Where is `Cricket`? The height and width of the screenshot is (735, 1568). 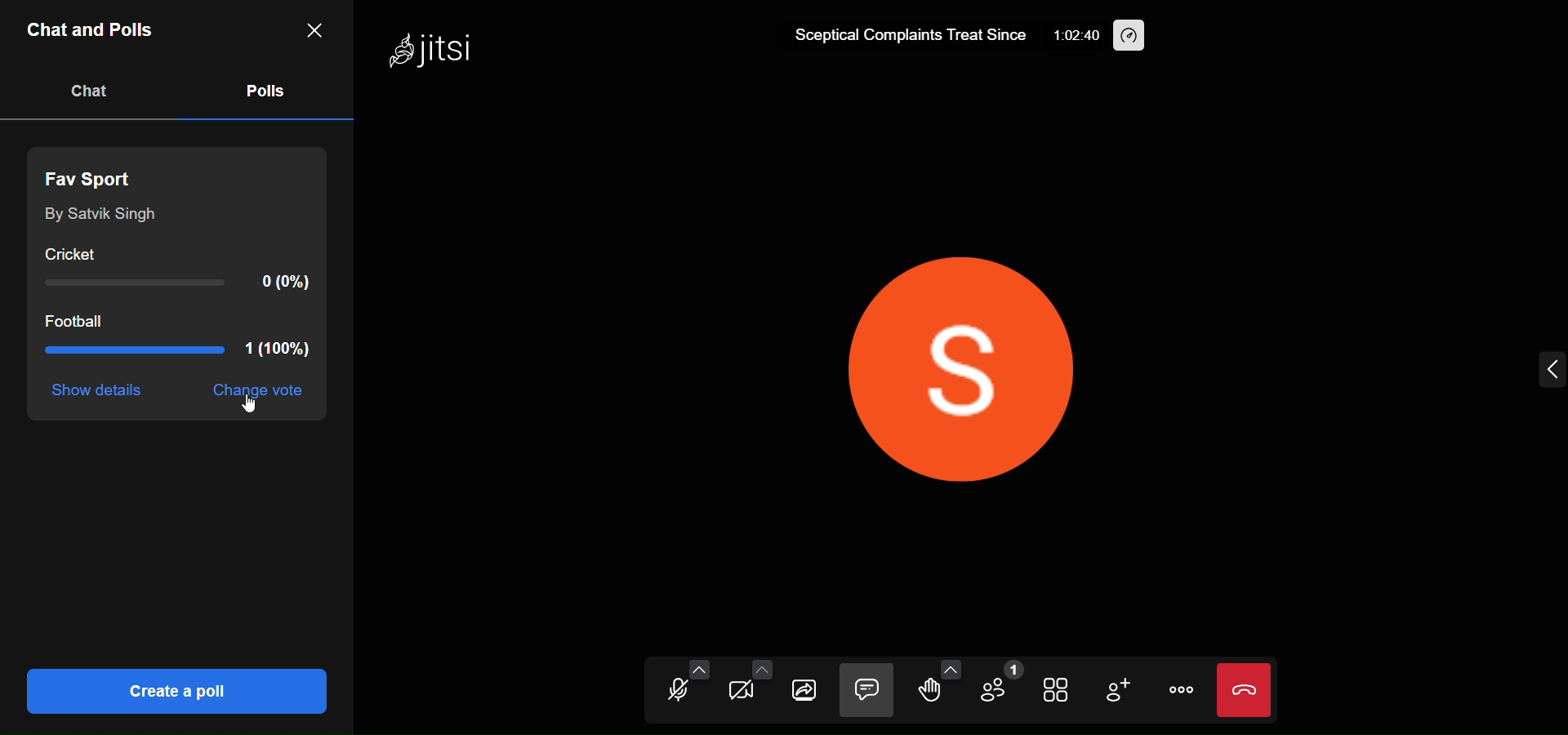 Cricket is located at coordinates (72, 251).